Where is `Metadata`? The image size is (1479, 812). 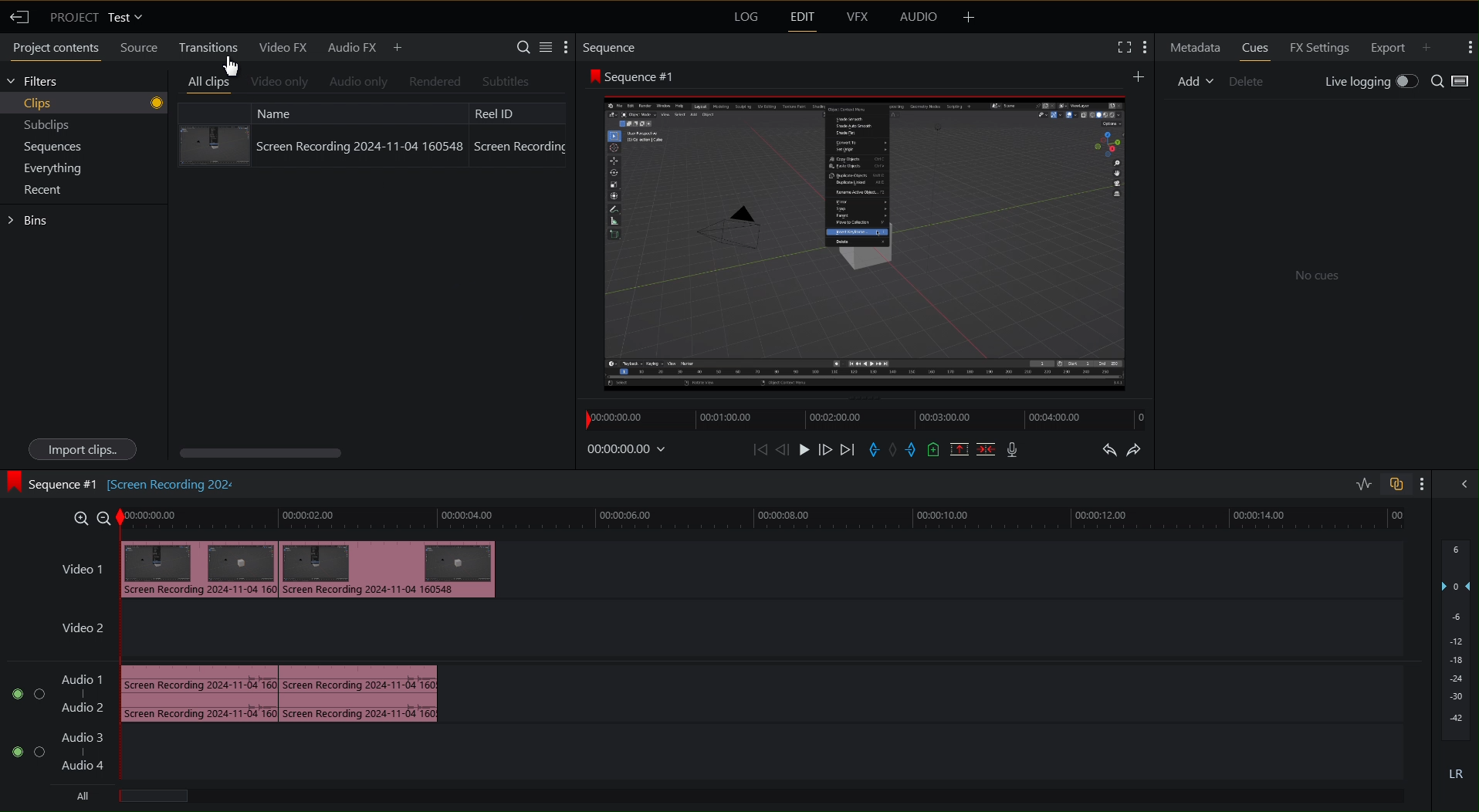 Metadata is located at coordinates (1193, 47).